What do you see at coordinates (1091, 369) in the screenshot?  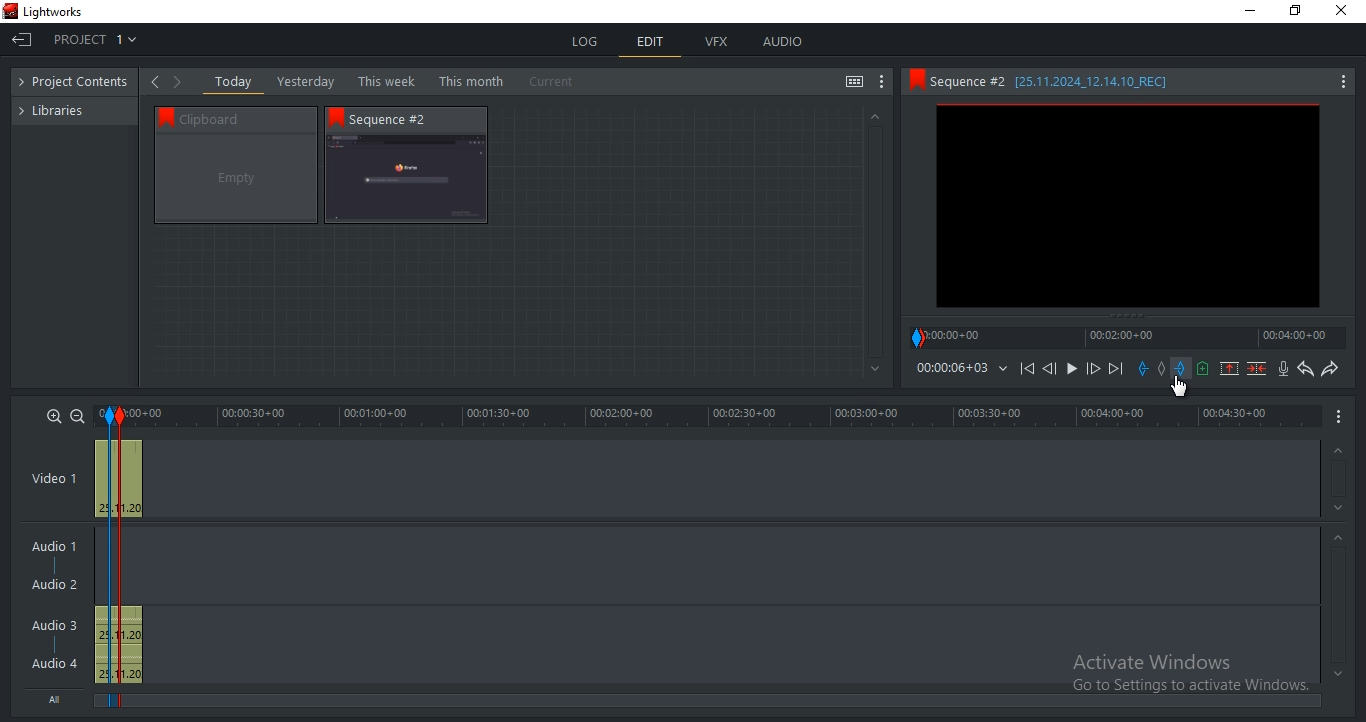 I see `Nudge one frame forward` at bounding box center [1091, 369].